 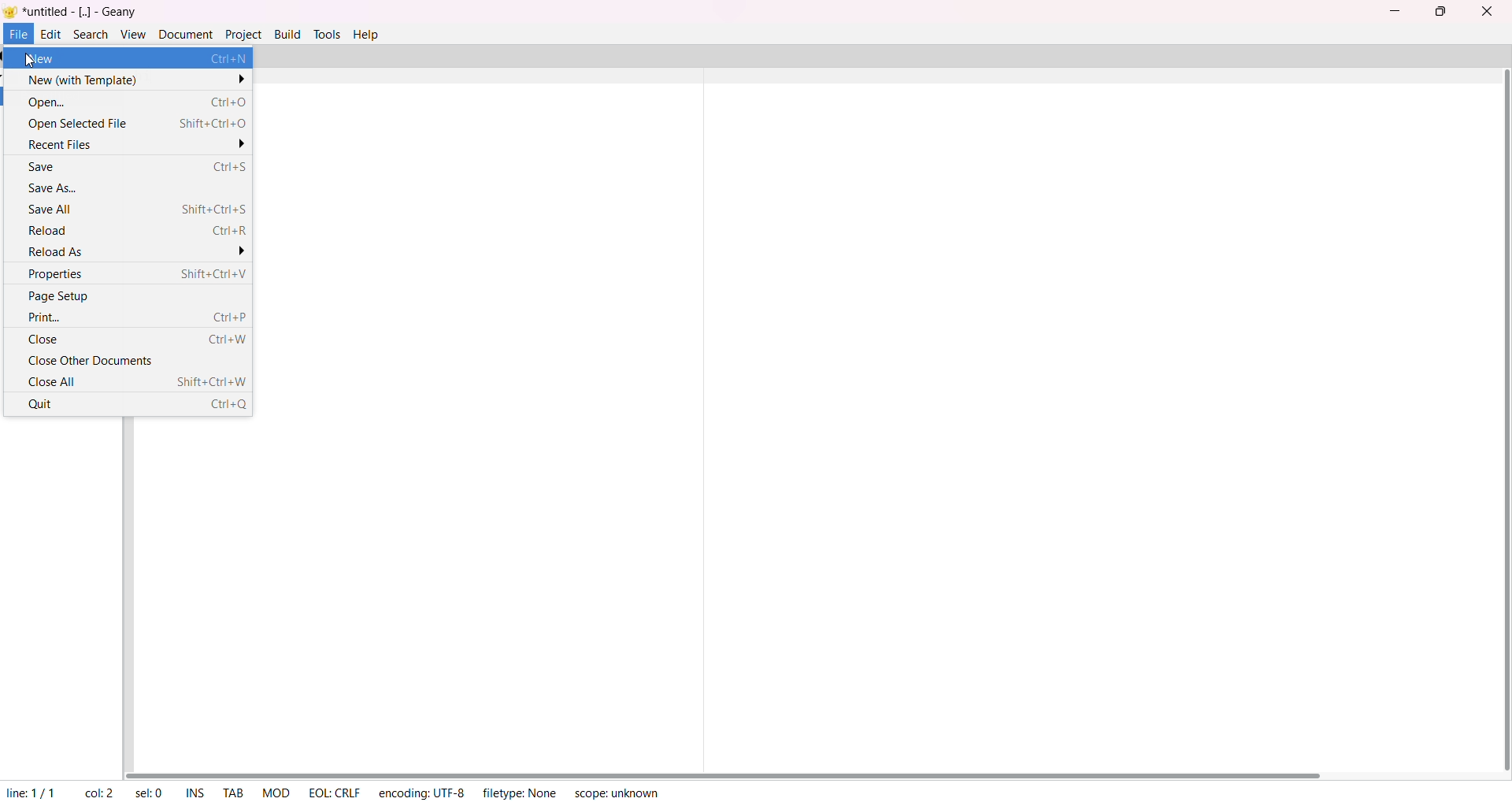 What do you see at coordinates (615, 793) in the screenshot?
I see `scope: unknown` at bounding box center [615, 793].